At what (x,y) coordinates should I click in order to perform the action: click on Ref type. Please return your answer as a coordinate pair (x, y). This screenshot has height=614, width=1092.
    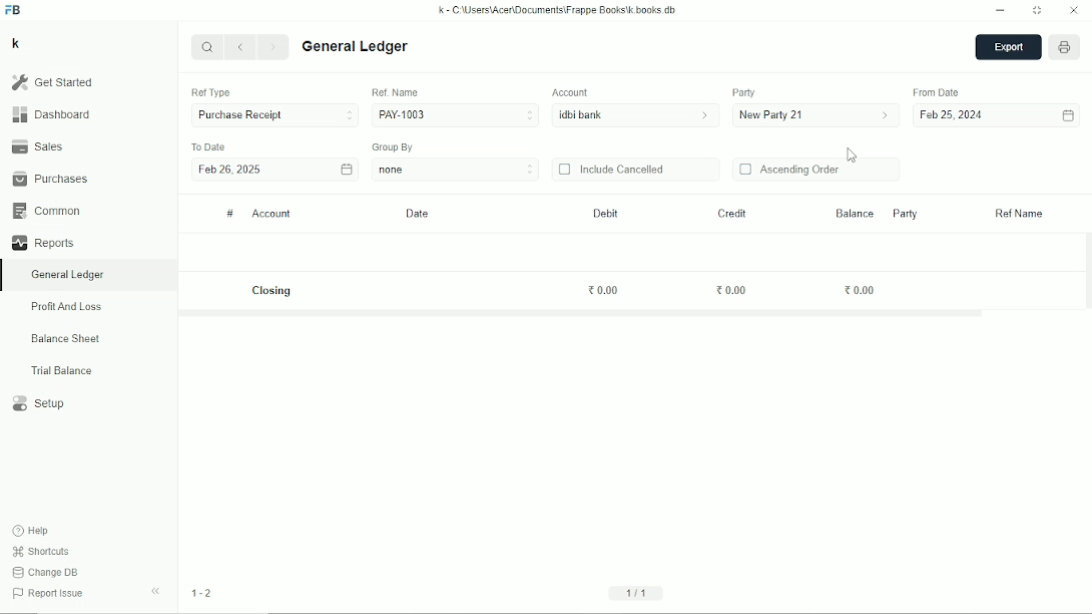
    Looking at the image, I should click on (210, 93).